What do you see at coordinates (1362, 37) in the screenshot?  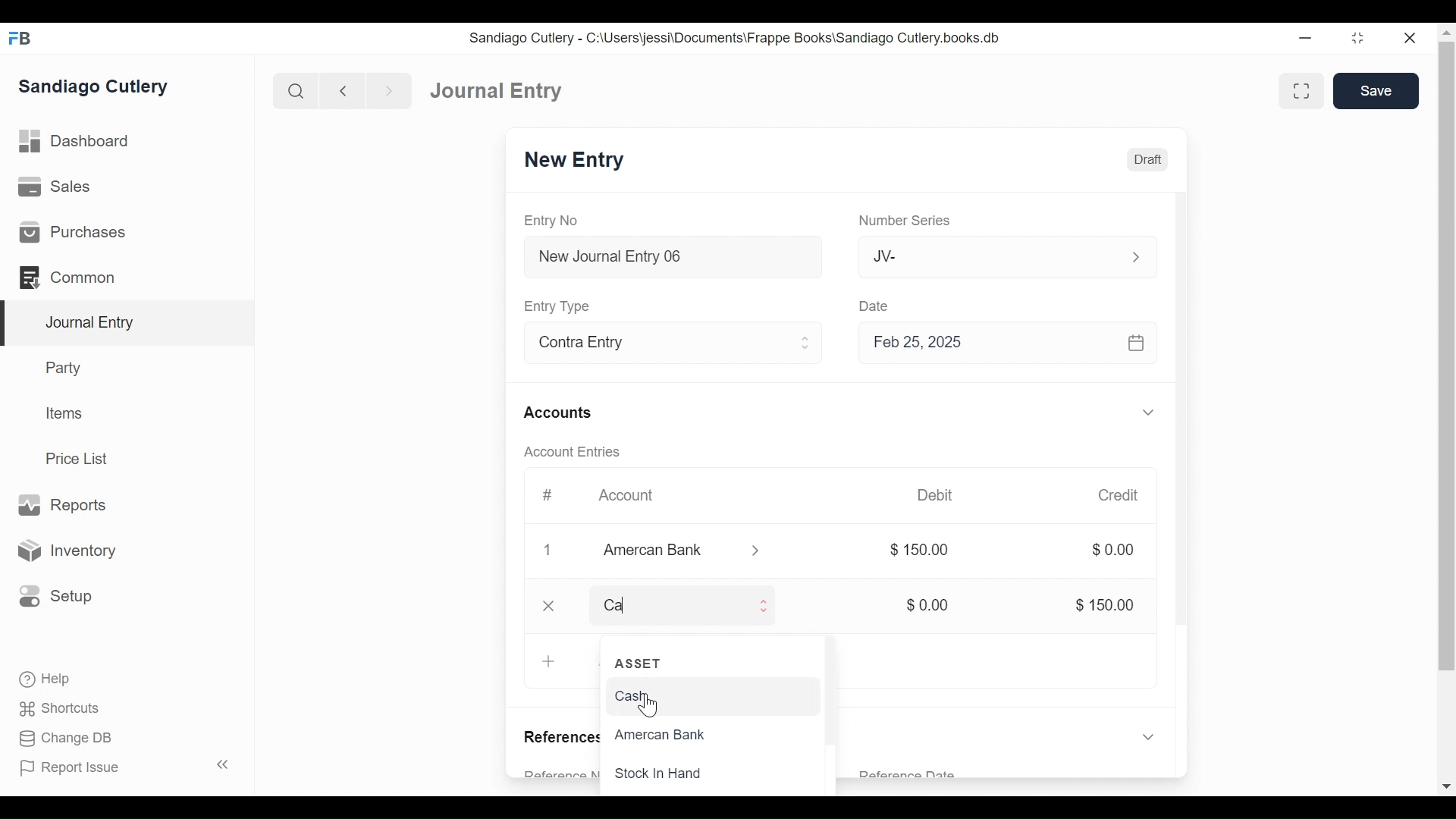 I see `Restore` at bounding box center [1362, 37].